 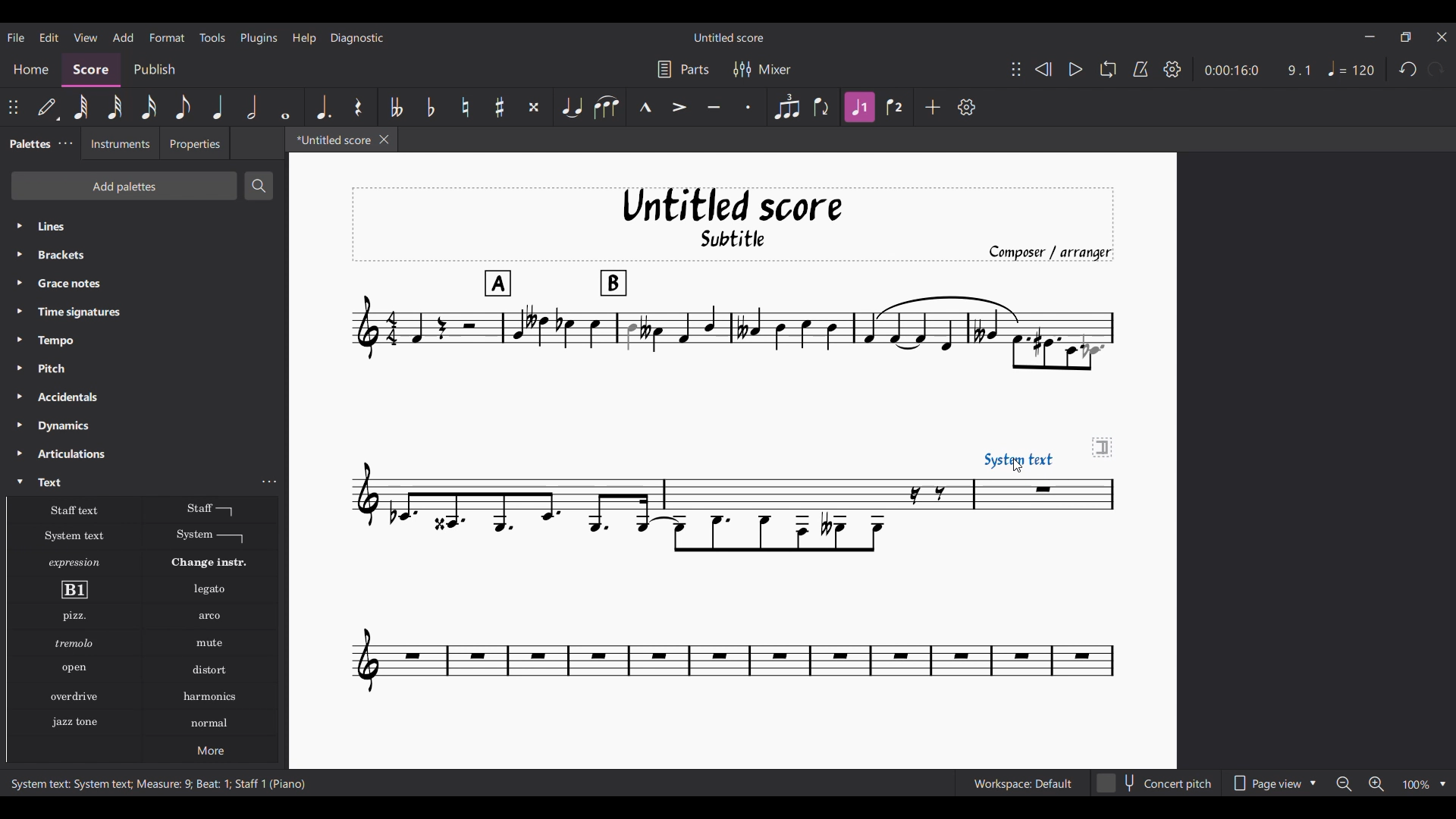 What do you see at coordinates (1037, 604) in the screenshot?
I see `Current score` at bounding box center [1037, 604].